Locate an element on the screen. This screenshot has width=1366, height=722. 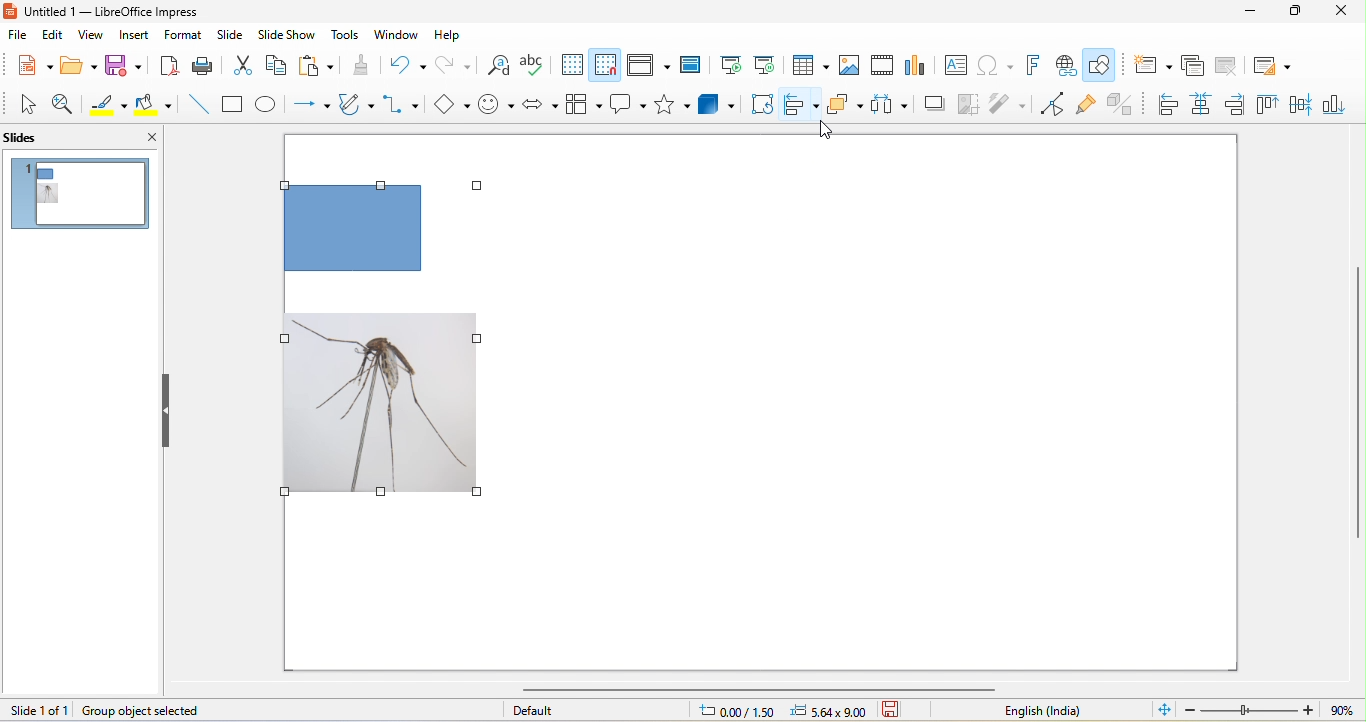
rectangle is located at coordinates (235, 105).